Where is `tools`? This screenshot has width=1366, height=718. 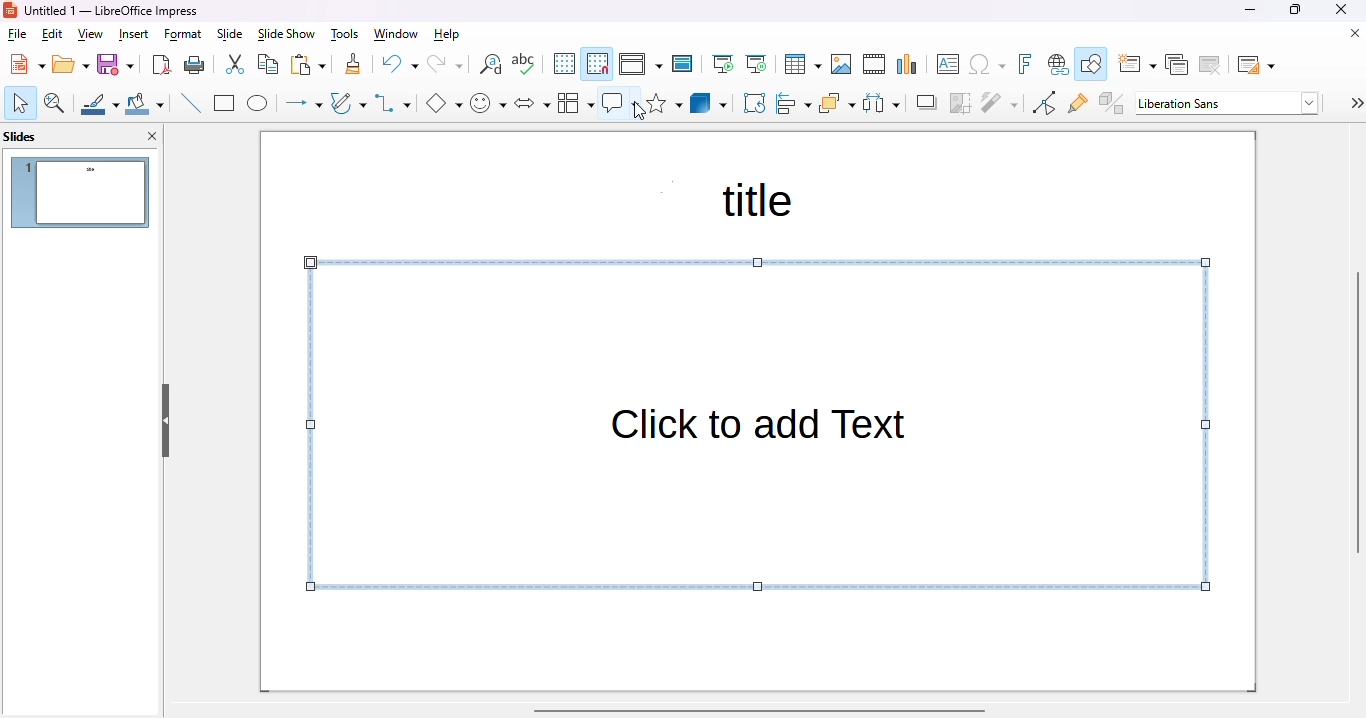 tools is located at coordinates (345, 35).